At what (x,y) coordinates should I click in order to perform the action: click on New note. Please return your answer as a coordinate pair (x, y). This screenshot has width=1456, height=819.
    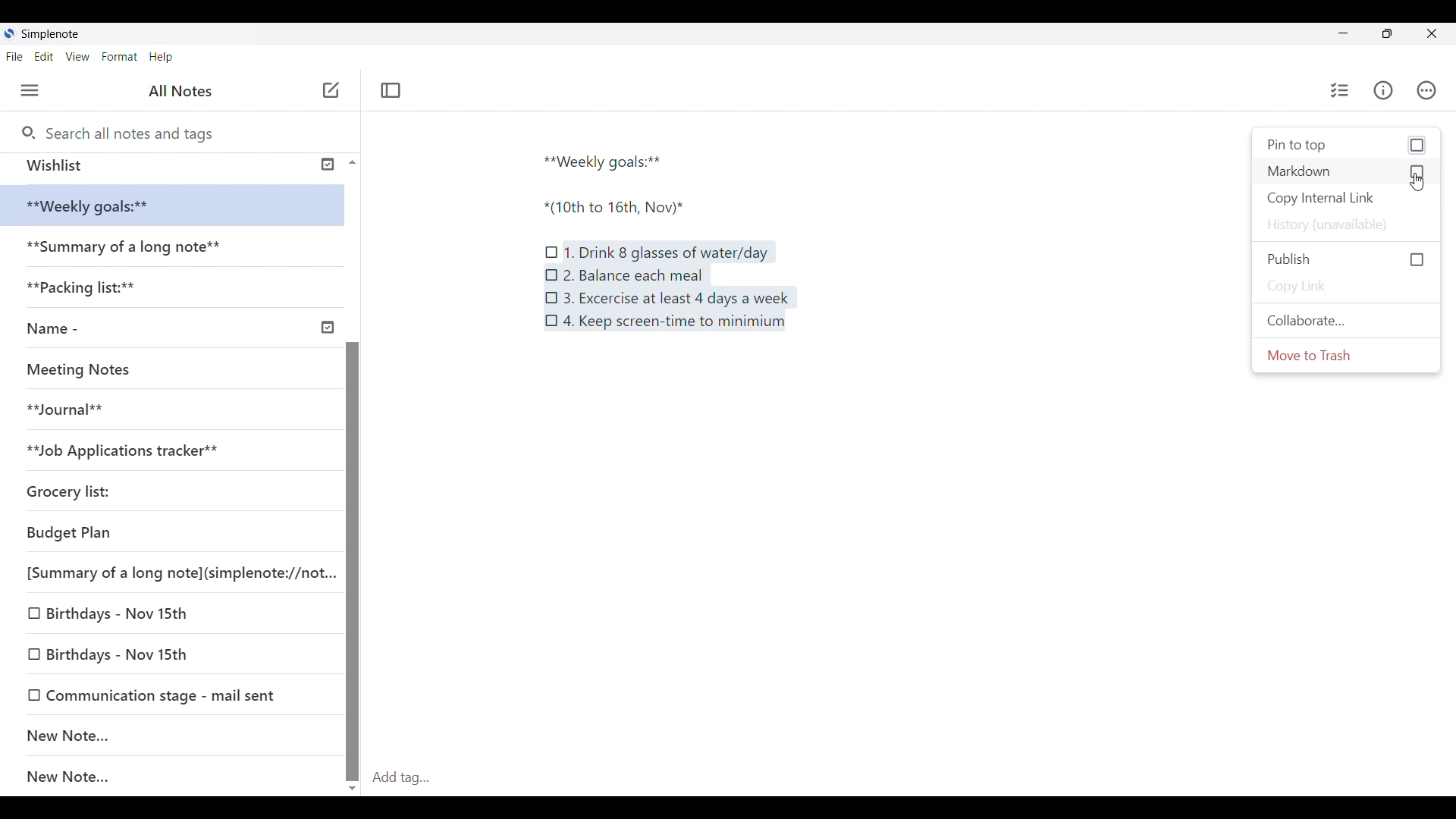
    Looking at the image, I should click on (331, 89).